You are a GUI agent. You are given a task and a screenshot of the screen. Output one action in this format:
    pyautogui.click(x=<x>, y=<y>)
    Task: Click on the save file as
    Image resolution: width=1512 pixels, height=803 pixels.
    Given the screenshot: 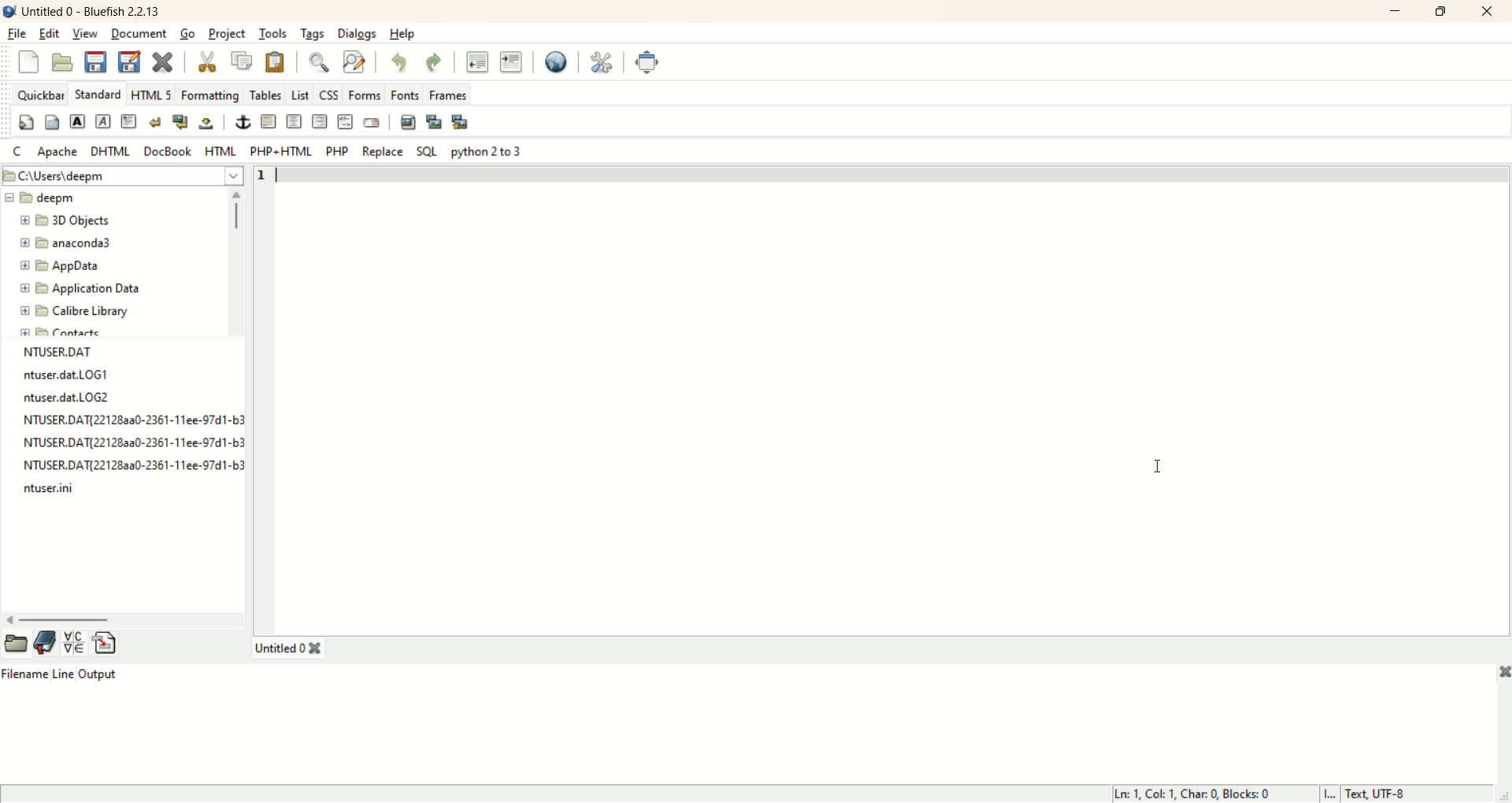 What is the action you would take?
    pyautogui.click(x=128, y=61)
    